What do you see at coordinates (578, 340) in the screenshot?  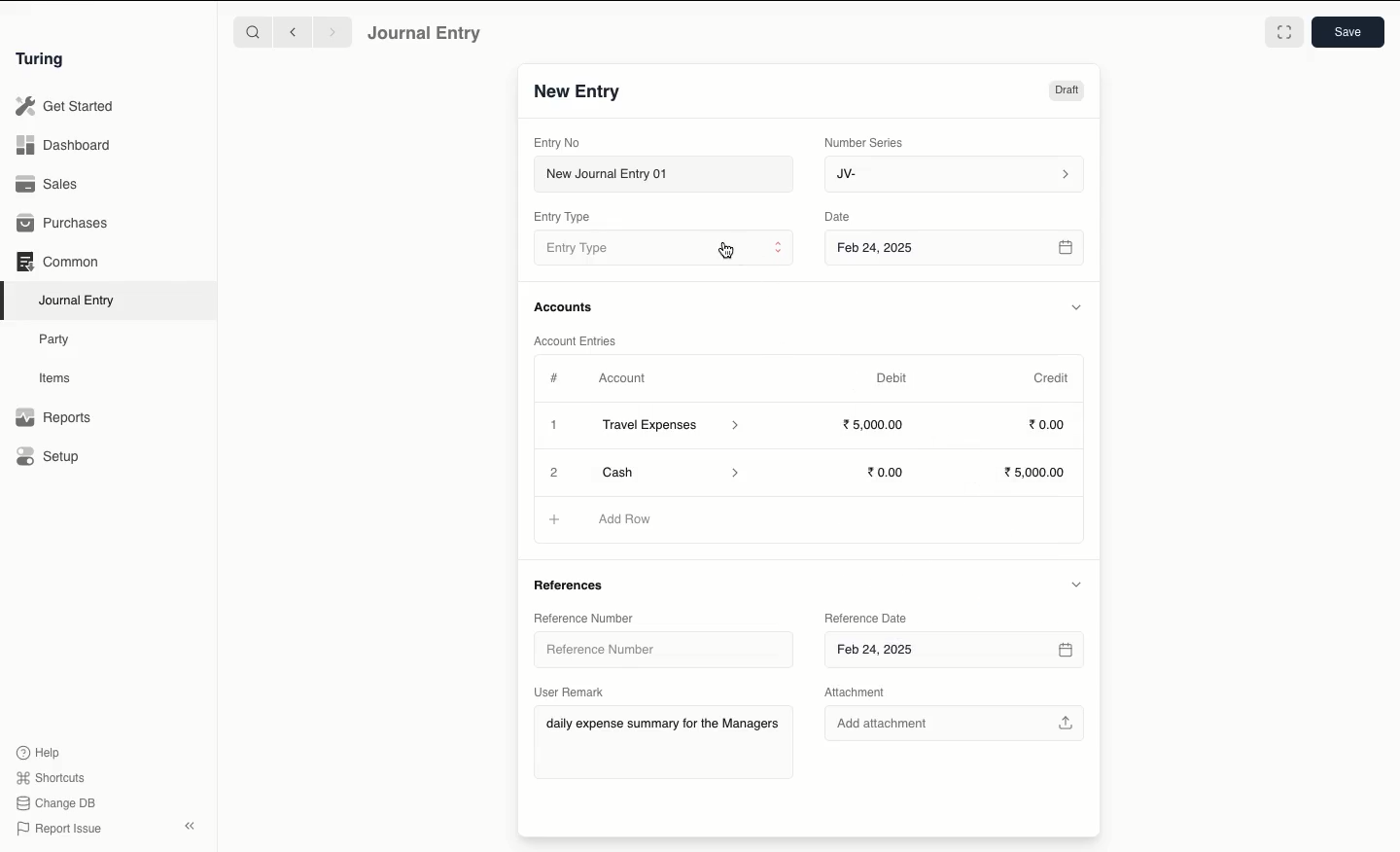 I see `Account Entries` at bounding box center [578, 340].